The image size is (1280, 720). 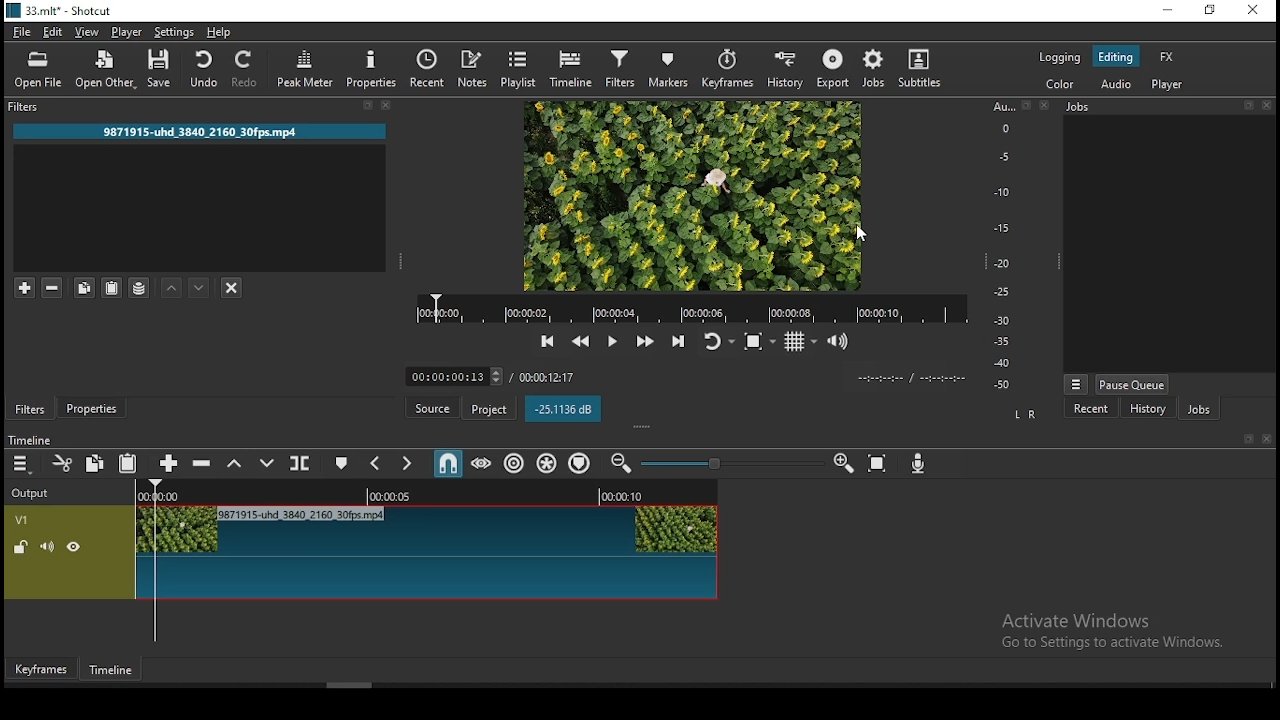 I want to click on audio, so click(x=1116, y=81).